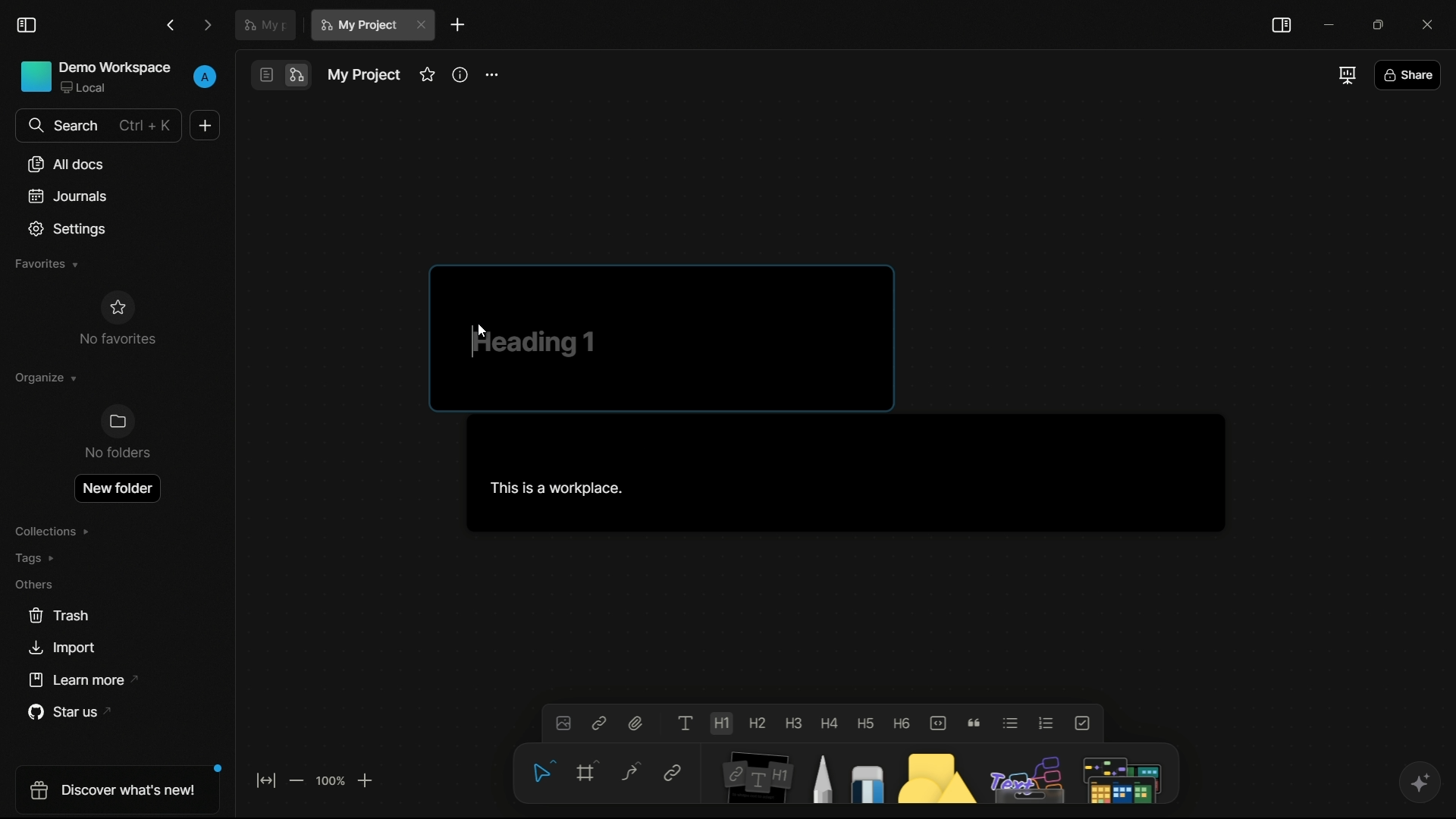 This screenshot has width=1456, height=819. What do you see at coordinates (936, 719) in the screenshot?
I see `code block` at bounding box center [936, 719].